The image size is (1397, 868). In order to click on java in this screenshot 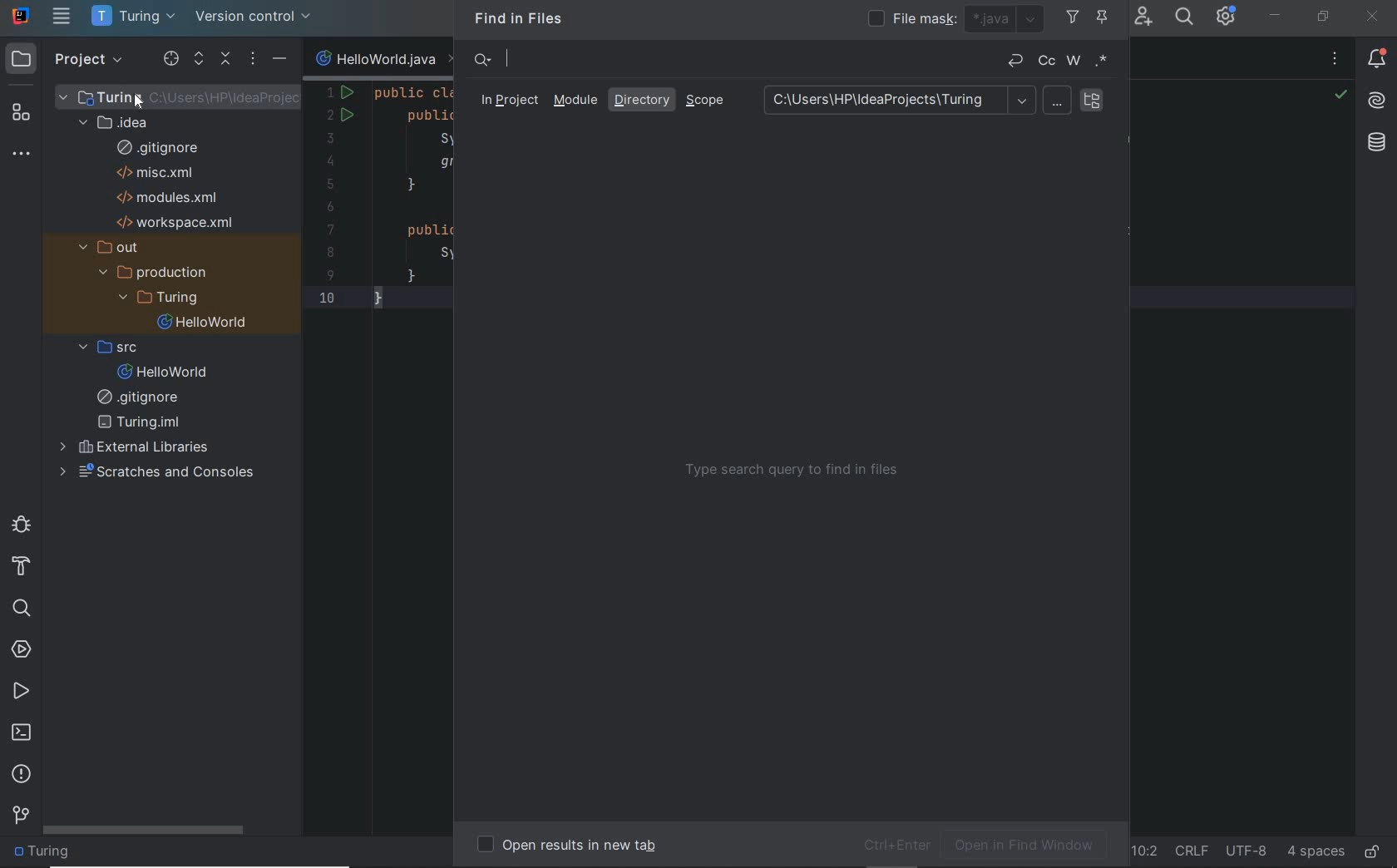, I will do `click(1009, 21)`.